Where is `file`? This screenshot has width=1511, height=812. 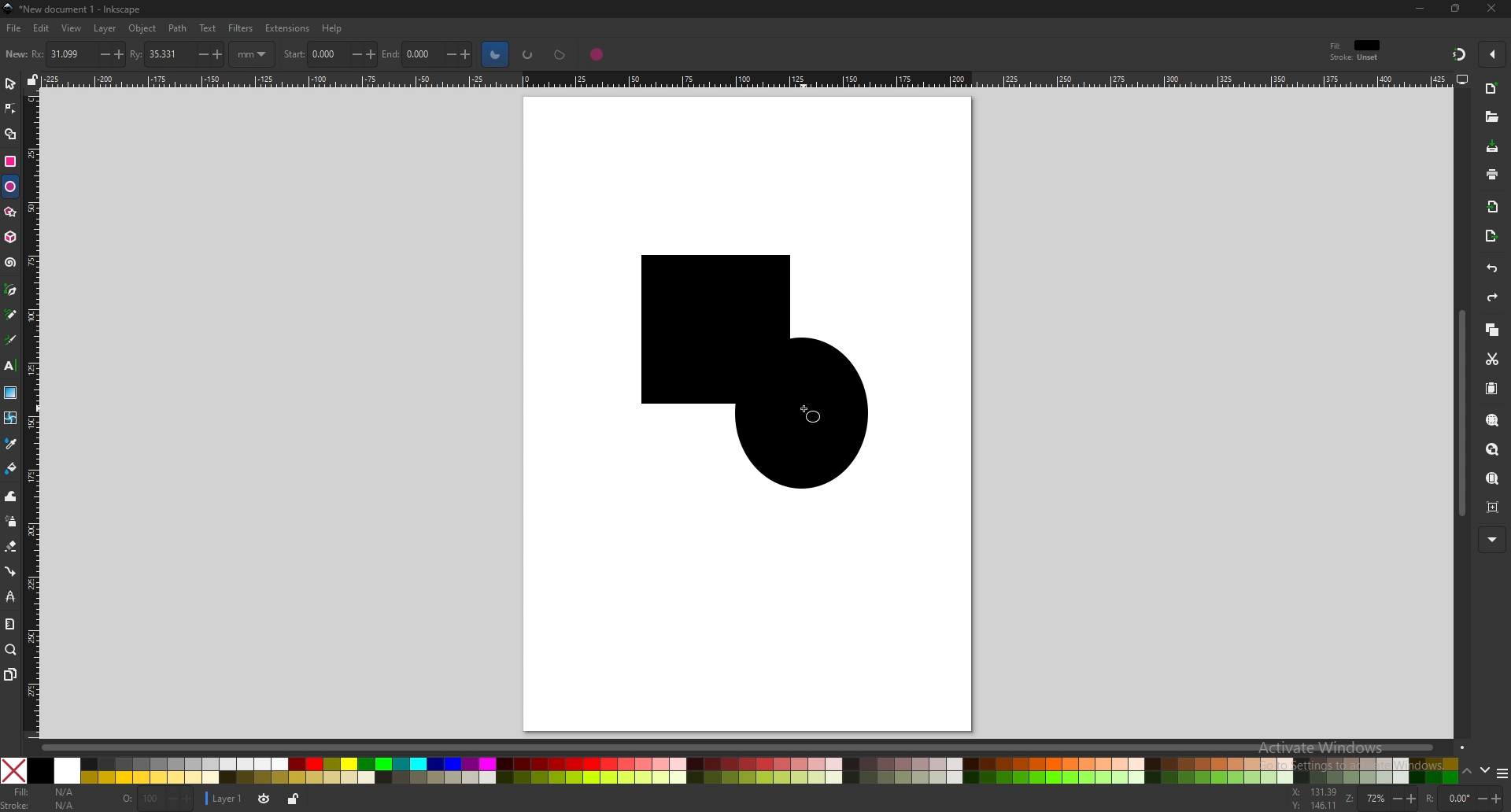
file is located at coordinates (15, 28).